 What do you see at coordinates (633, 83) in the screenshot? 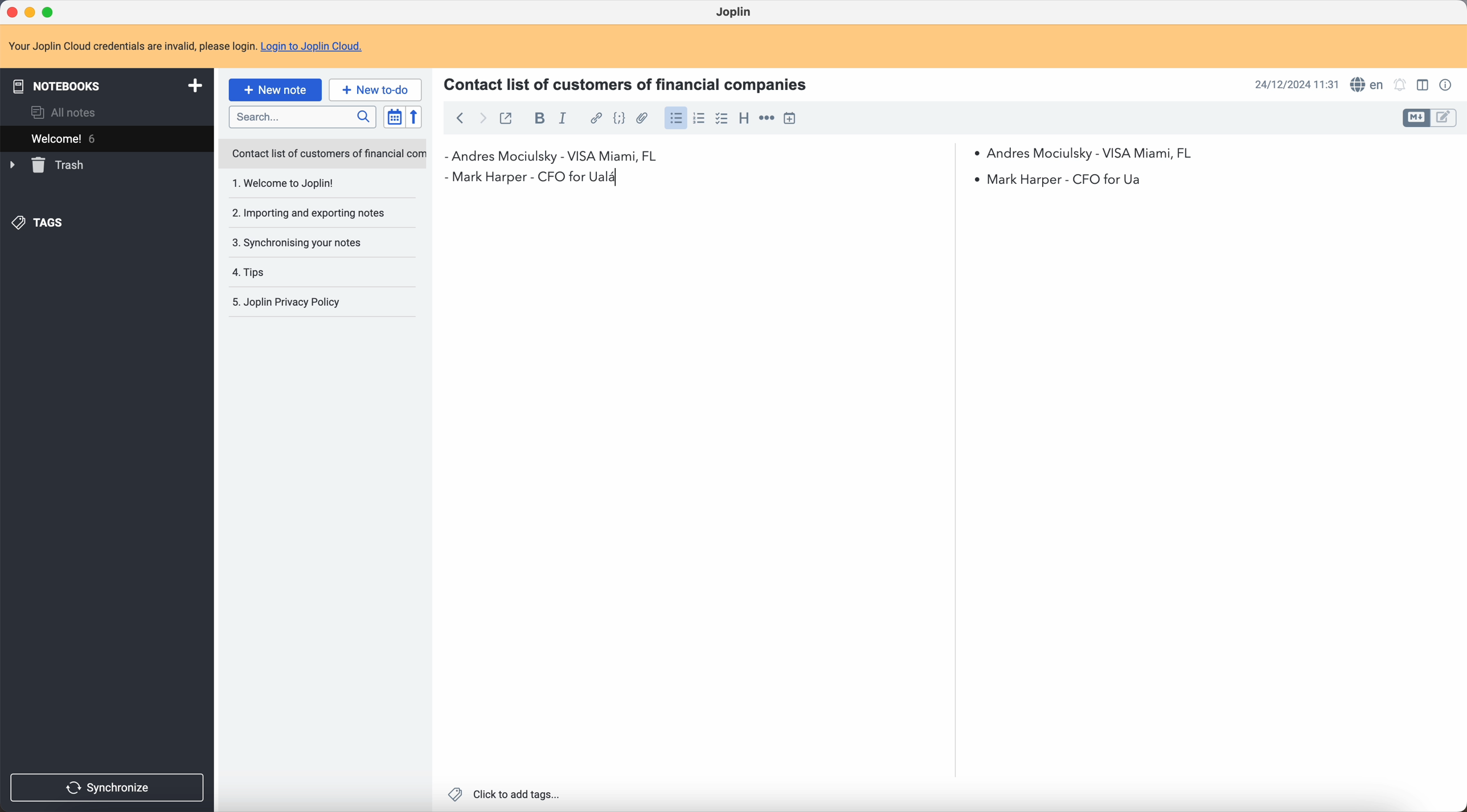
I see `Contact list of customers of financial companies` at bounding box center [633, 83].